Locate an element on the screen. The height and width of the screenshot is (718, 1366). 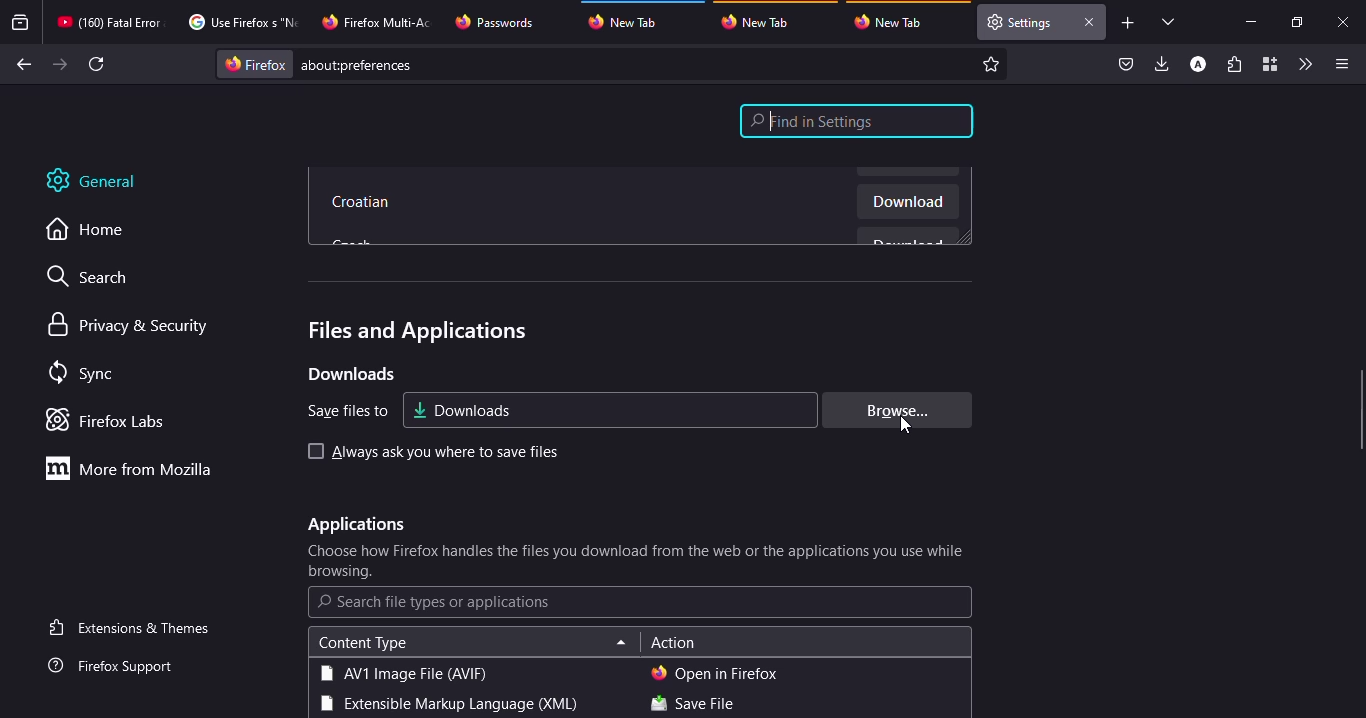
more tools is located at coordinates (1304, 64).